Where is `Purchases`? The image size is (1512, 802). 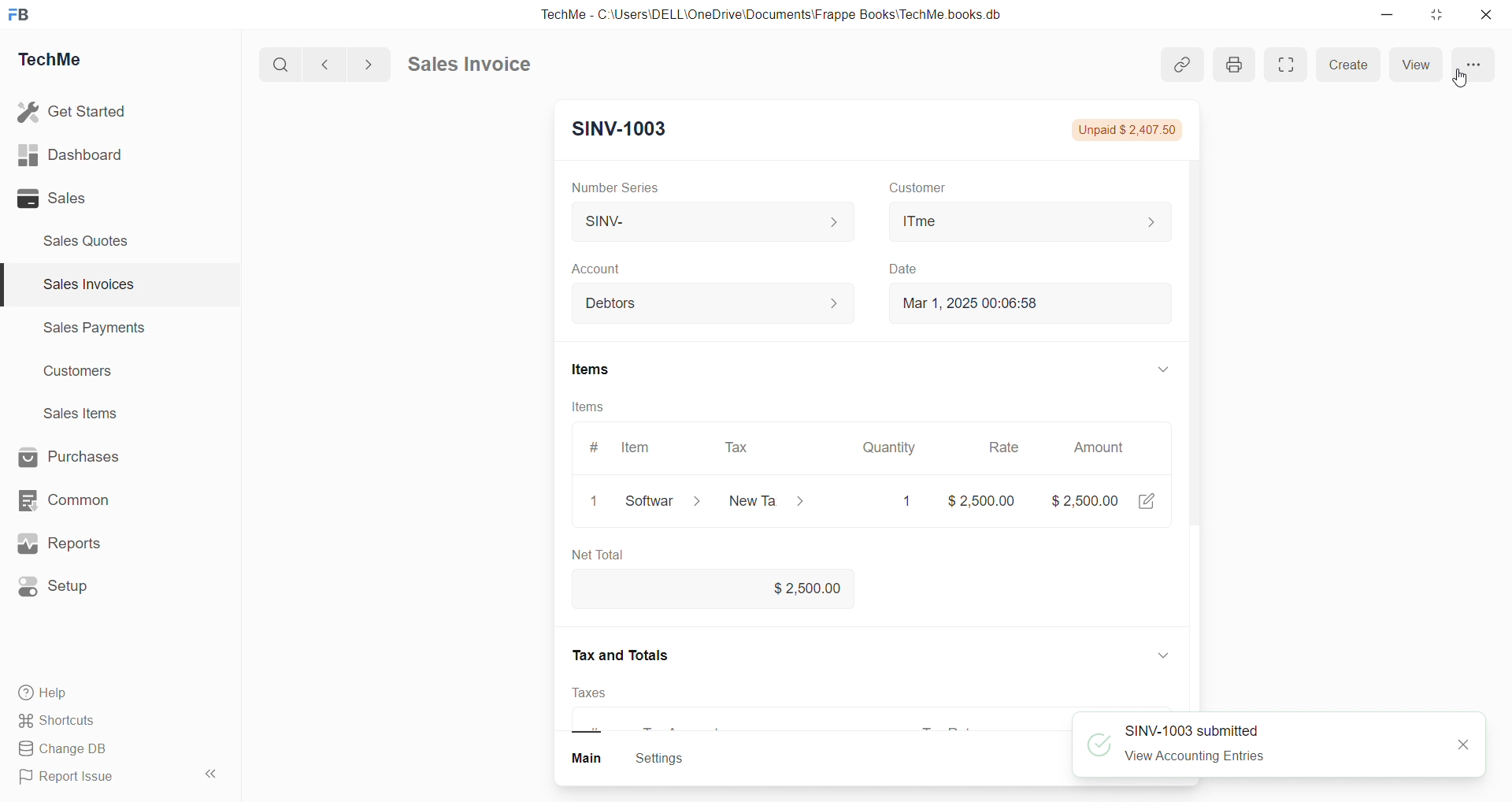 Purchases is located at coordinates (83, 455).